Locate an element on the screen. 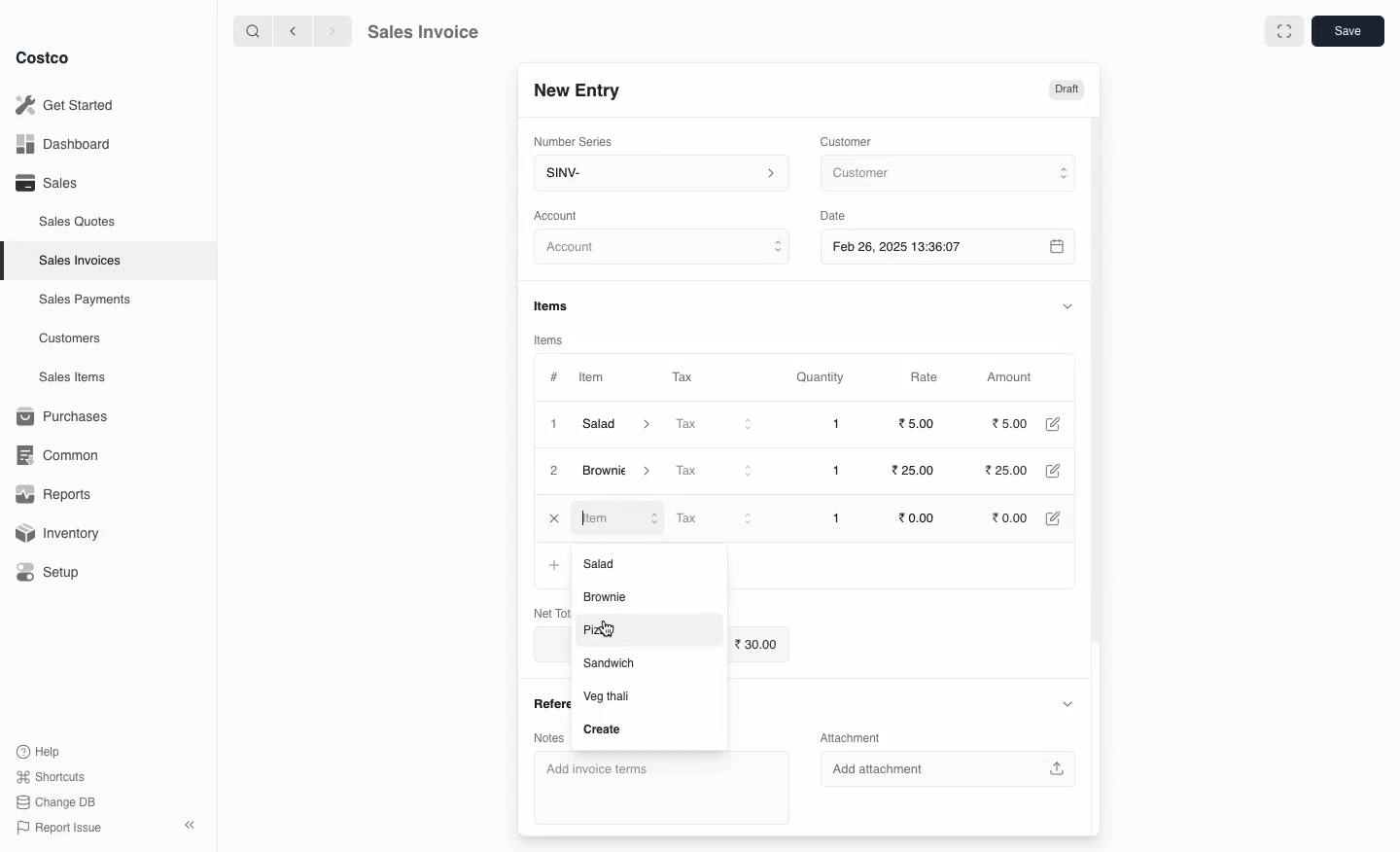 Image resolution: width=1400 pixels, height=852 pixels. Tax is located at coordinates (716, 518).